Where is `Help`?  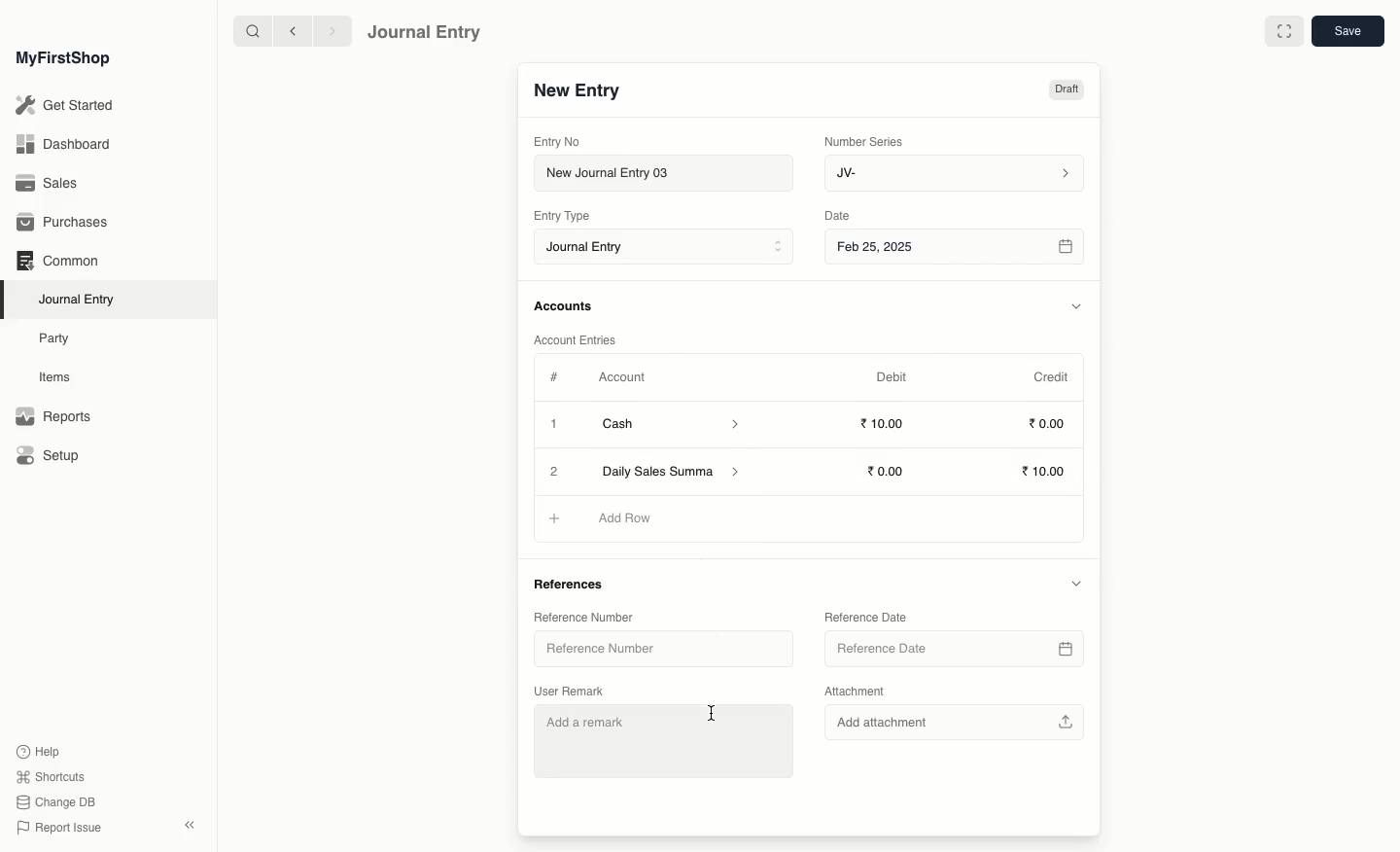 Help is located at coordinates (36, 750).